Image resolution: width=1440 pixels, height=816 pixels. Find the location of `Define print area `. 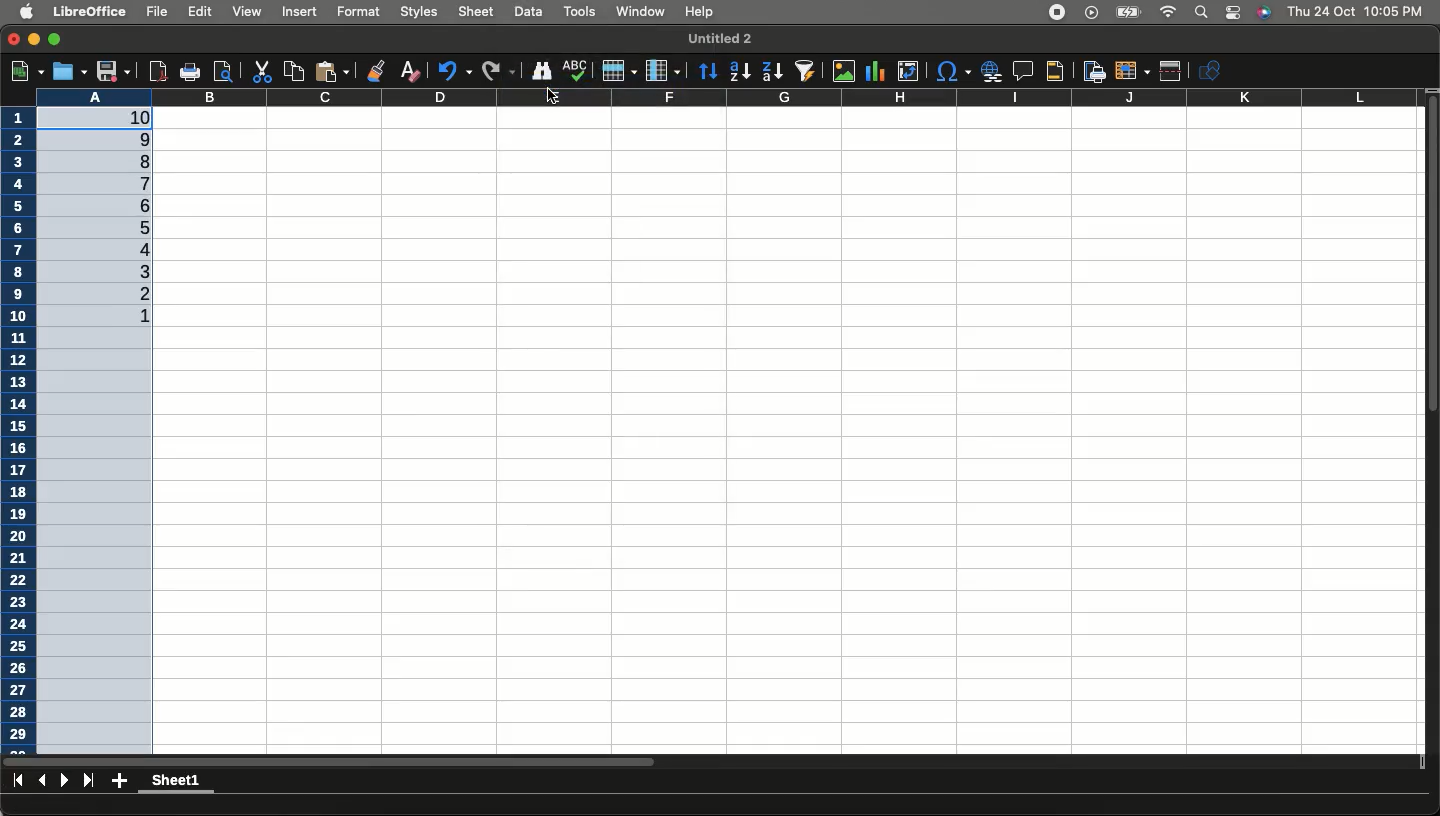

Define print area  is located at coordinates (1092, 70).